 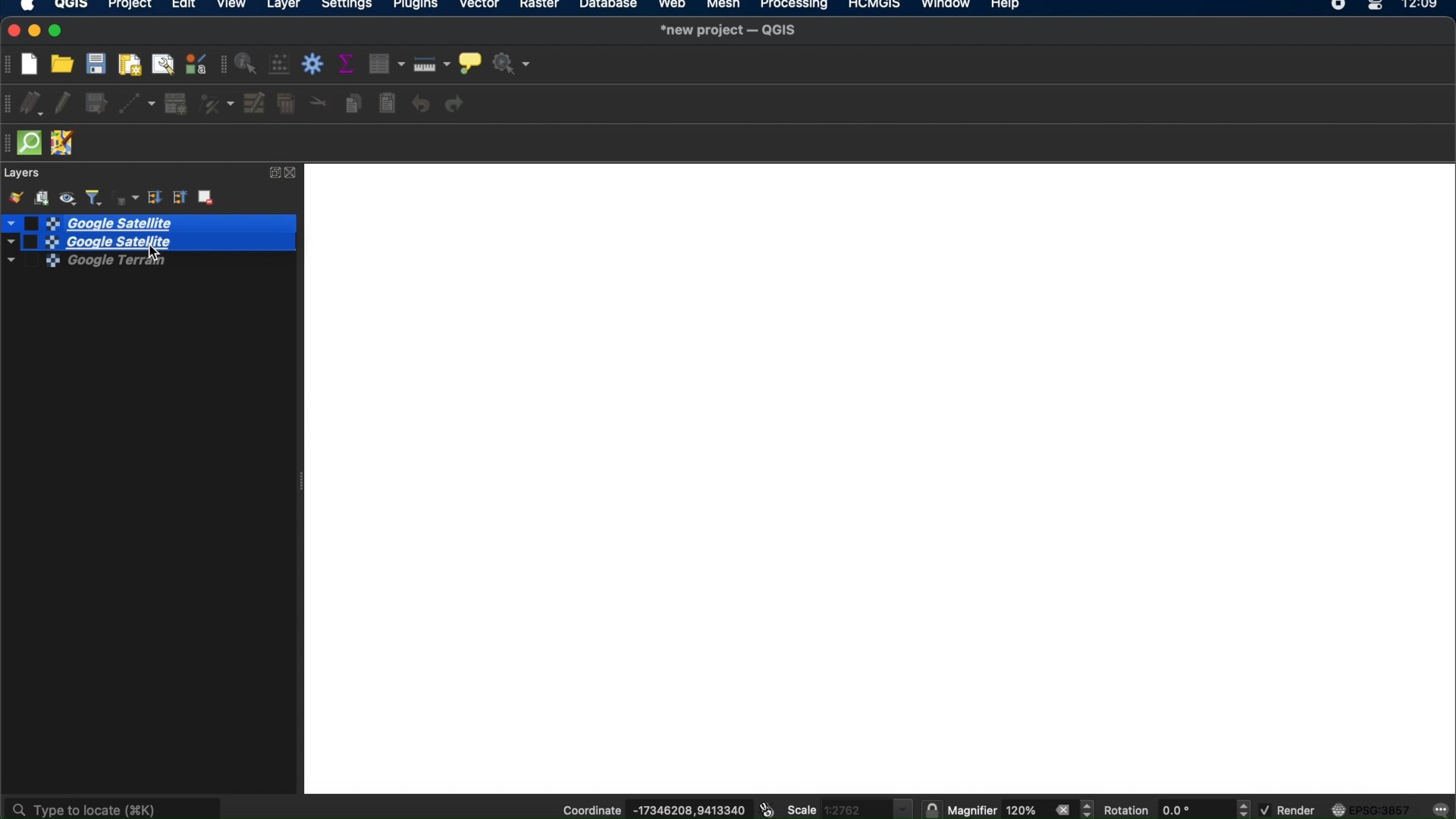 What do you see at coordinates (1426, 6) in the screenshot?
I see `12.09` at bounding box center [1426, 6].